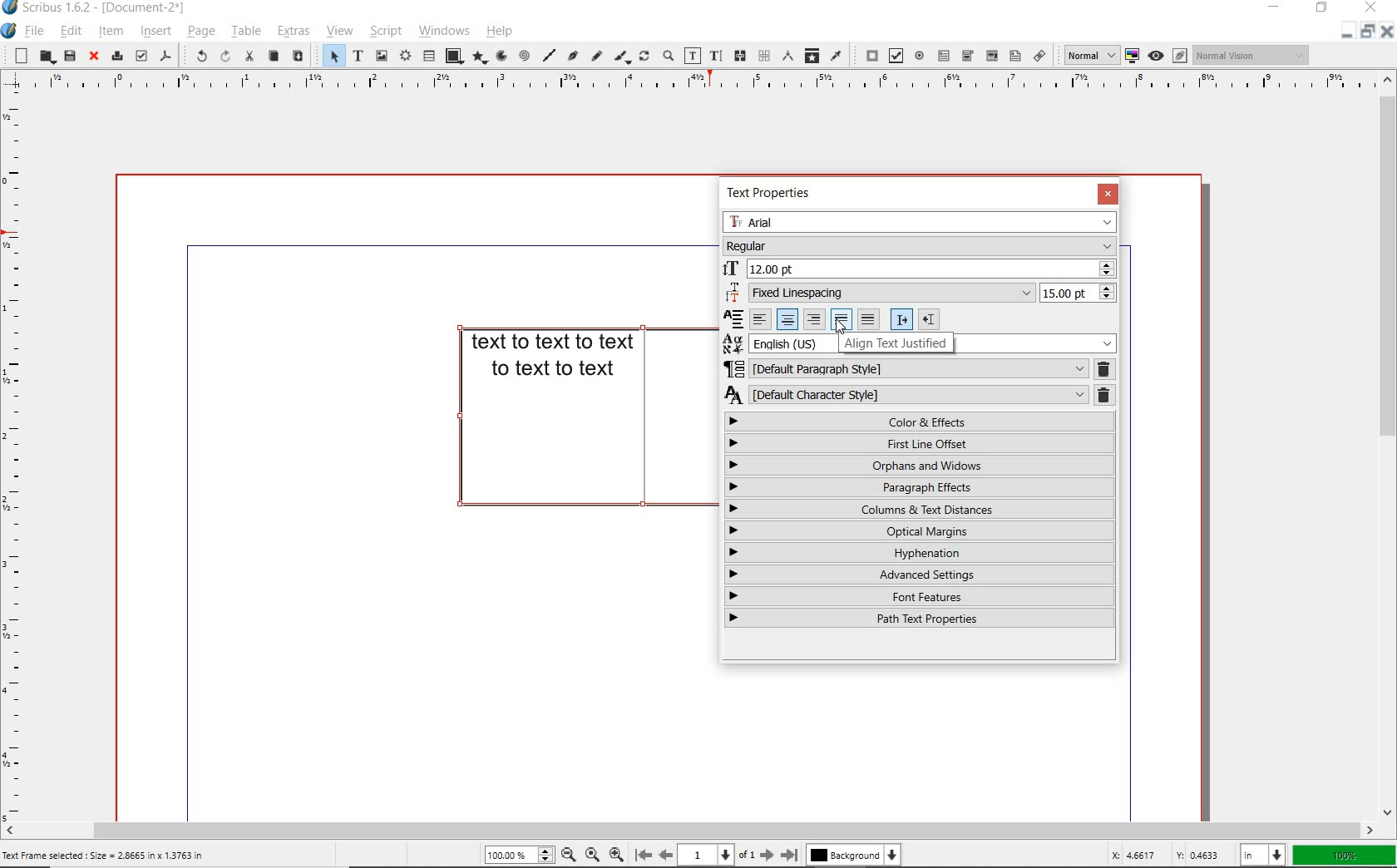 The width and height of the screenshot is (1397, 868). What do you see at coordinates (921, 343) in the screenshot?
I see `TEXT LANGUAGE` at bounding box center [921, 343].